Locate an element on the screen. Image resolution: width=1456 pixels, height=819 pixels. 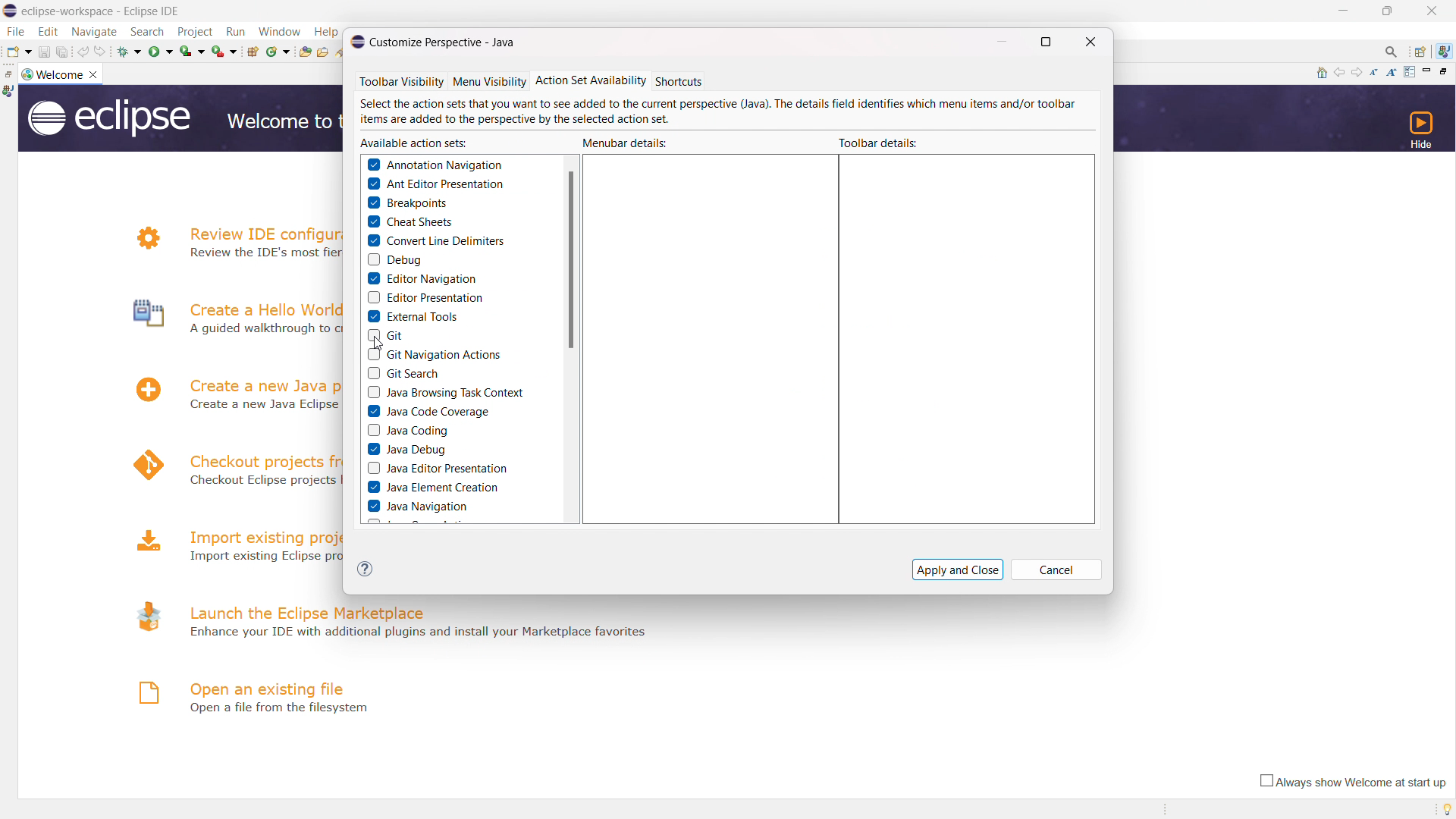
logo is located at coordinates (108, 118).